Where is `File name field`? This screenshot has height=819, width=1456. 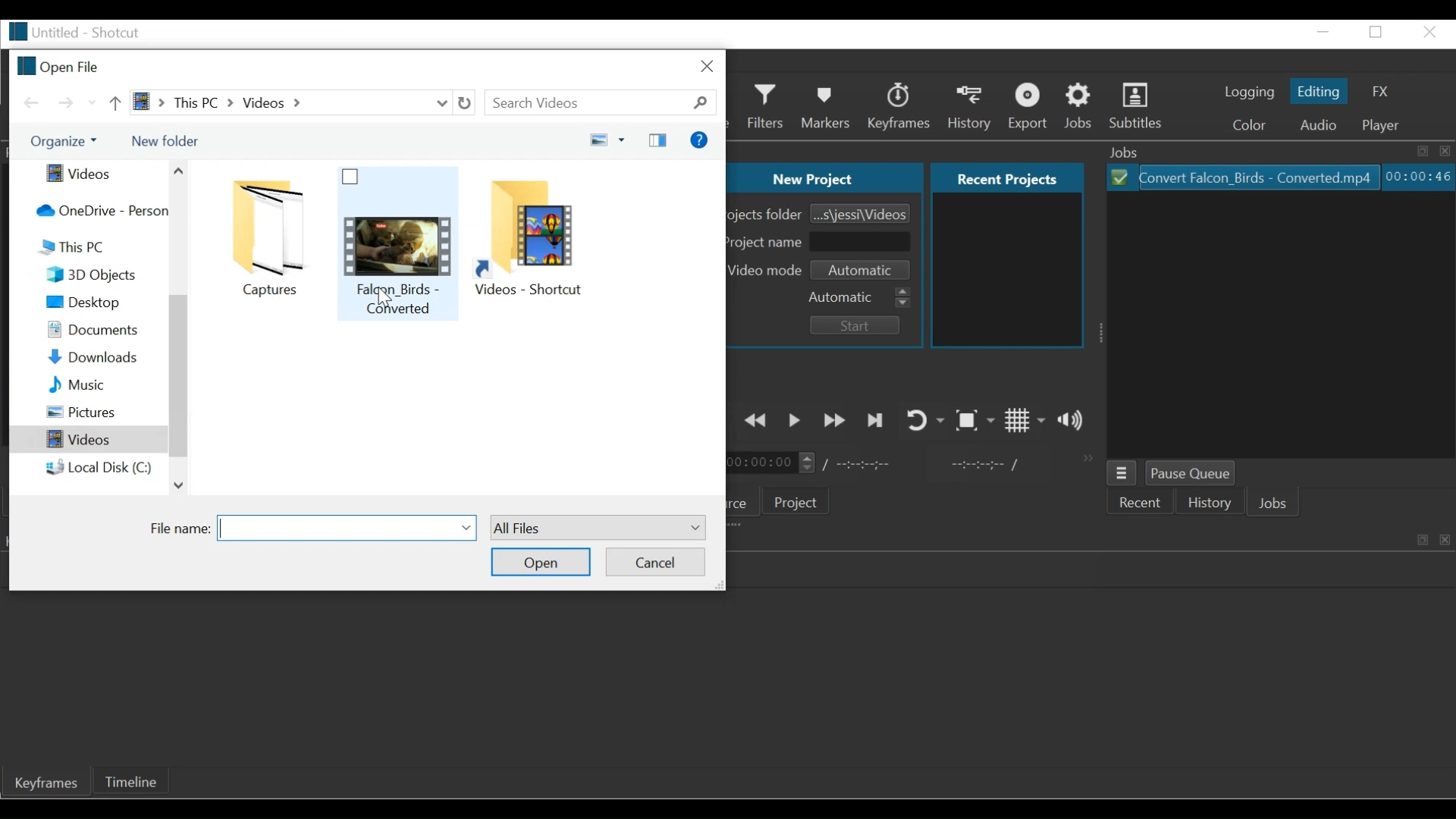 File name field is located at coordinates (347, 526).